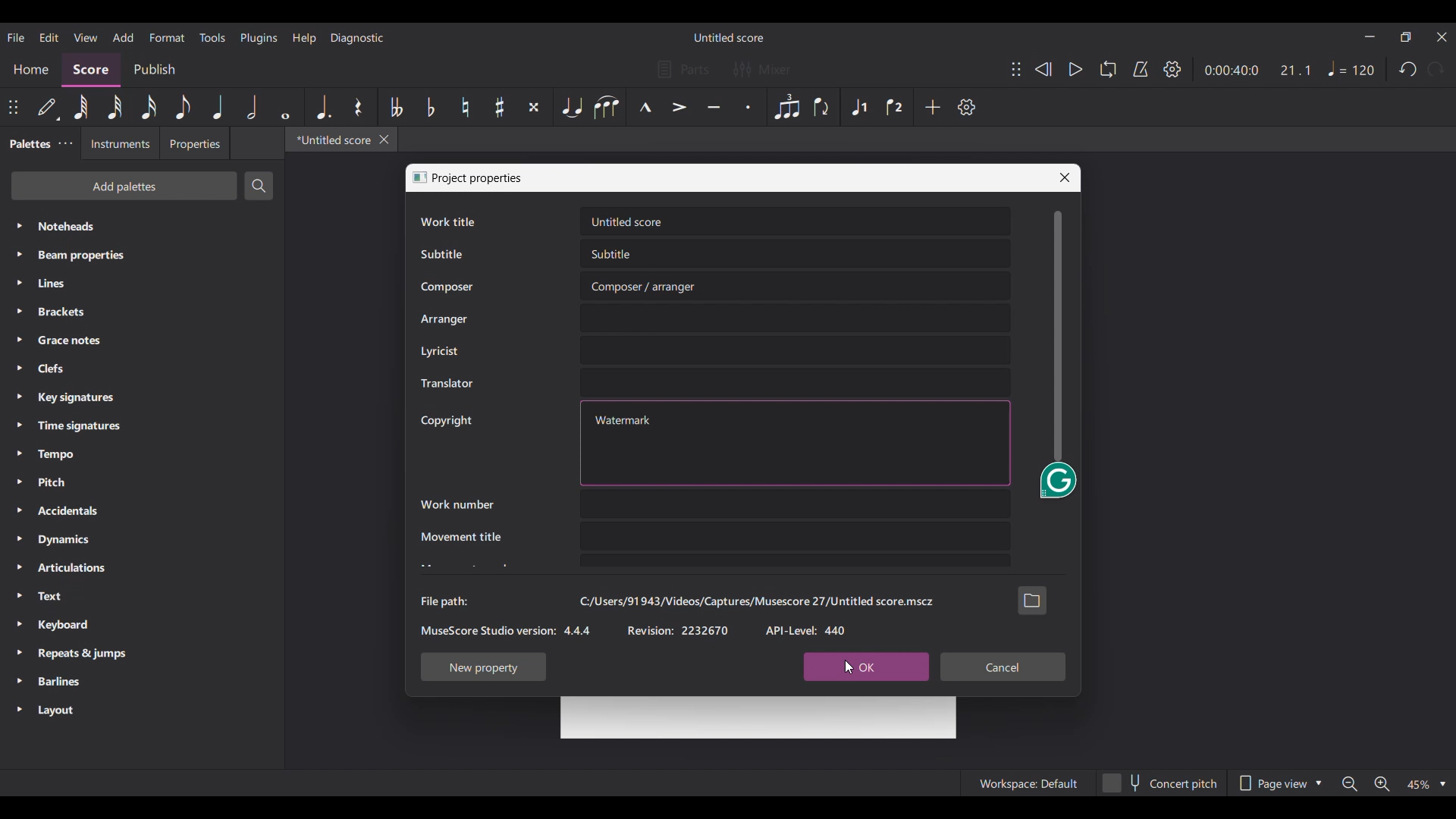 The width and height of the screenshot is (1456, 819). I want to click on New property, so click(484, 667).